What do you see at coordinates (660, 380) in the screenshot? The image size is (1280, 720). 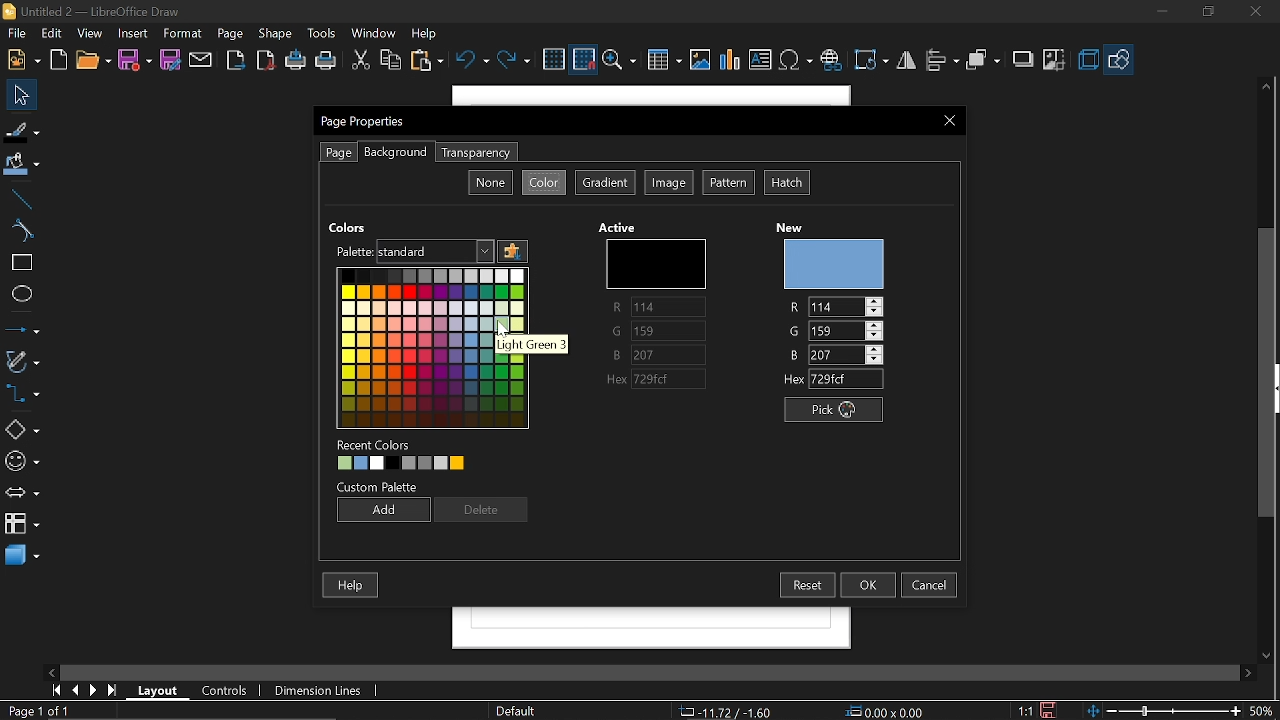 I see `Hex` at bounding box center [660, 380].